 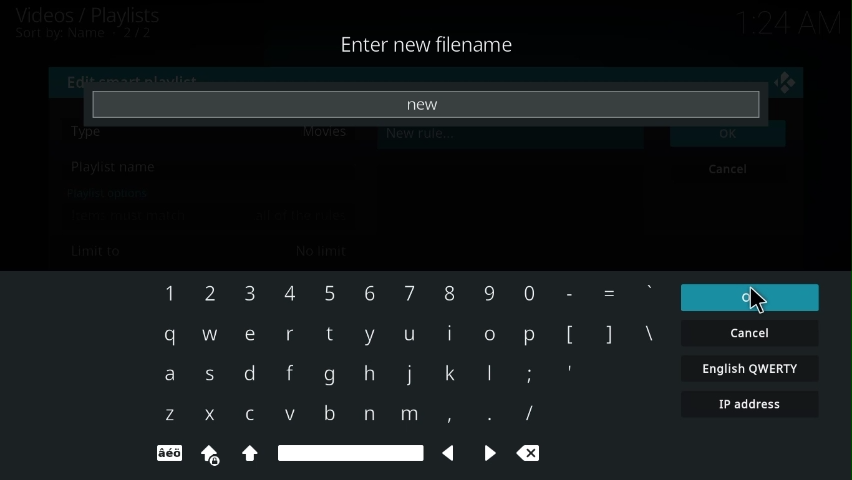 What do you see at coordinates (109, 191) in the screenshot?
I see `playlist options` at bounding box center [109, 191].